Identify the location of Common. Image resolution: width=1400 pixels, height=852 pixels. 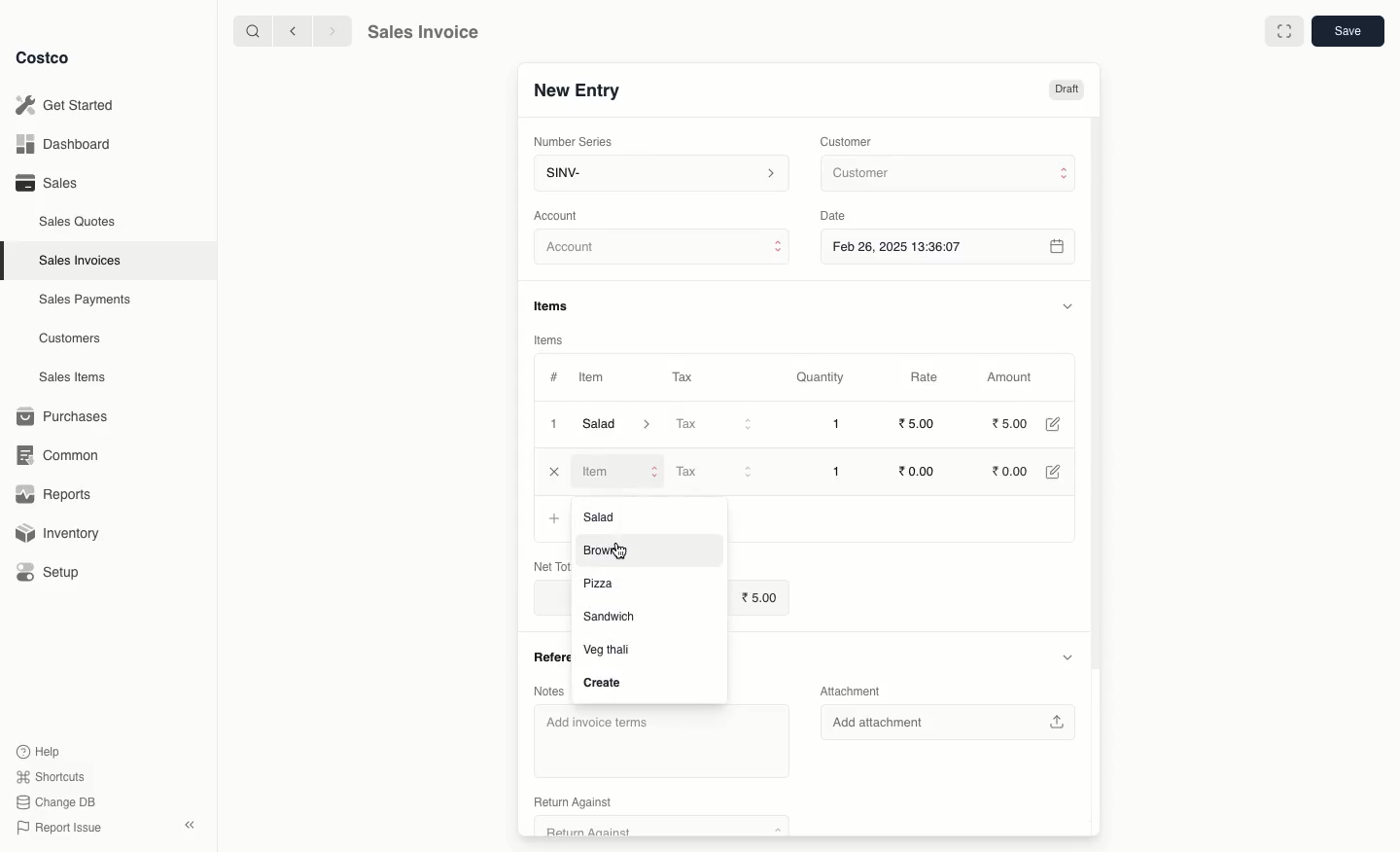
(66, 455).